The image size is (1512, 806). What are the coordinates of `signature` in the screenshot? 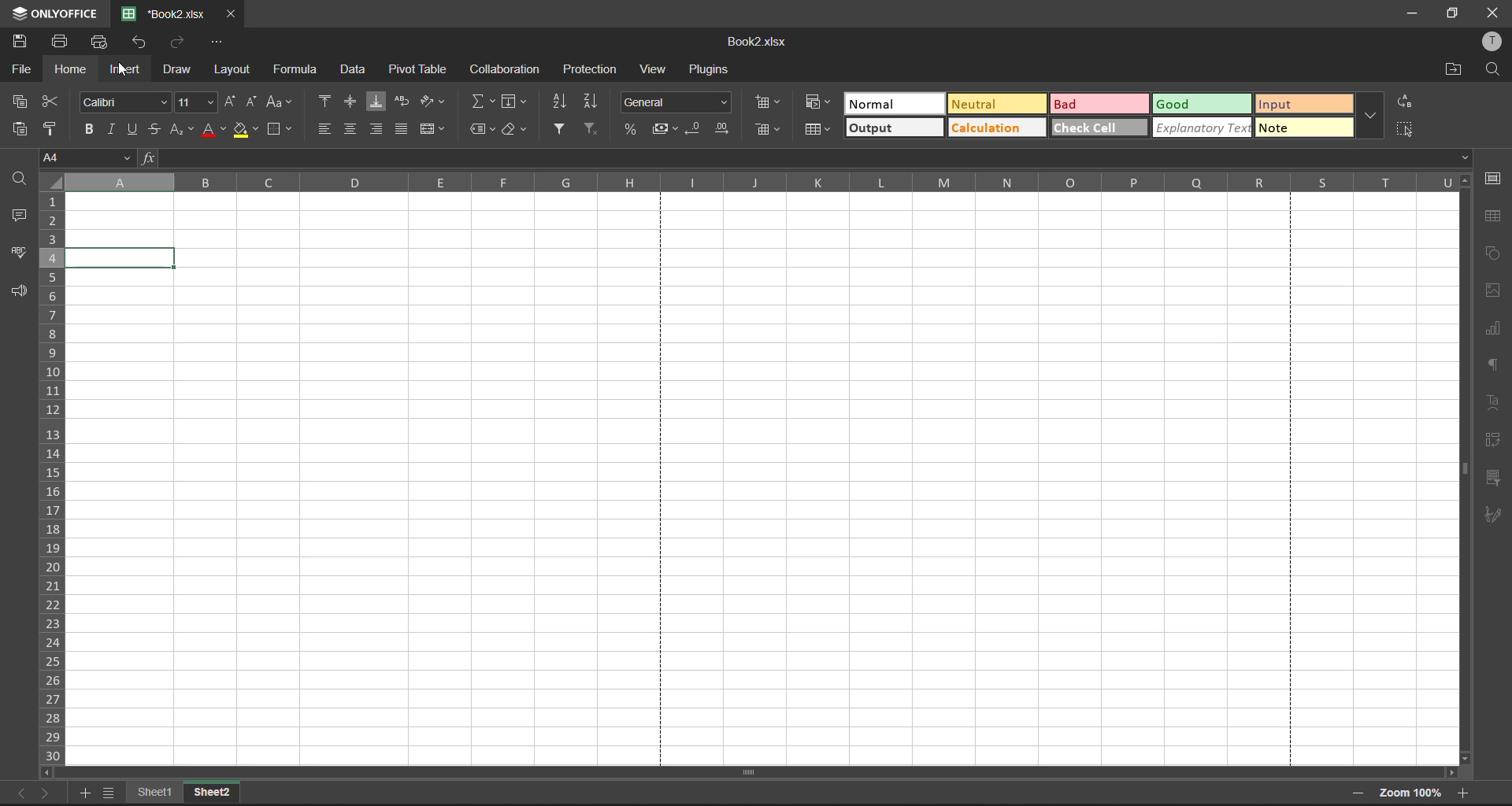 It's located at (1494, 513).